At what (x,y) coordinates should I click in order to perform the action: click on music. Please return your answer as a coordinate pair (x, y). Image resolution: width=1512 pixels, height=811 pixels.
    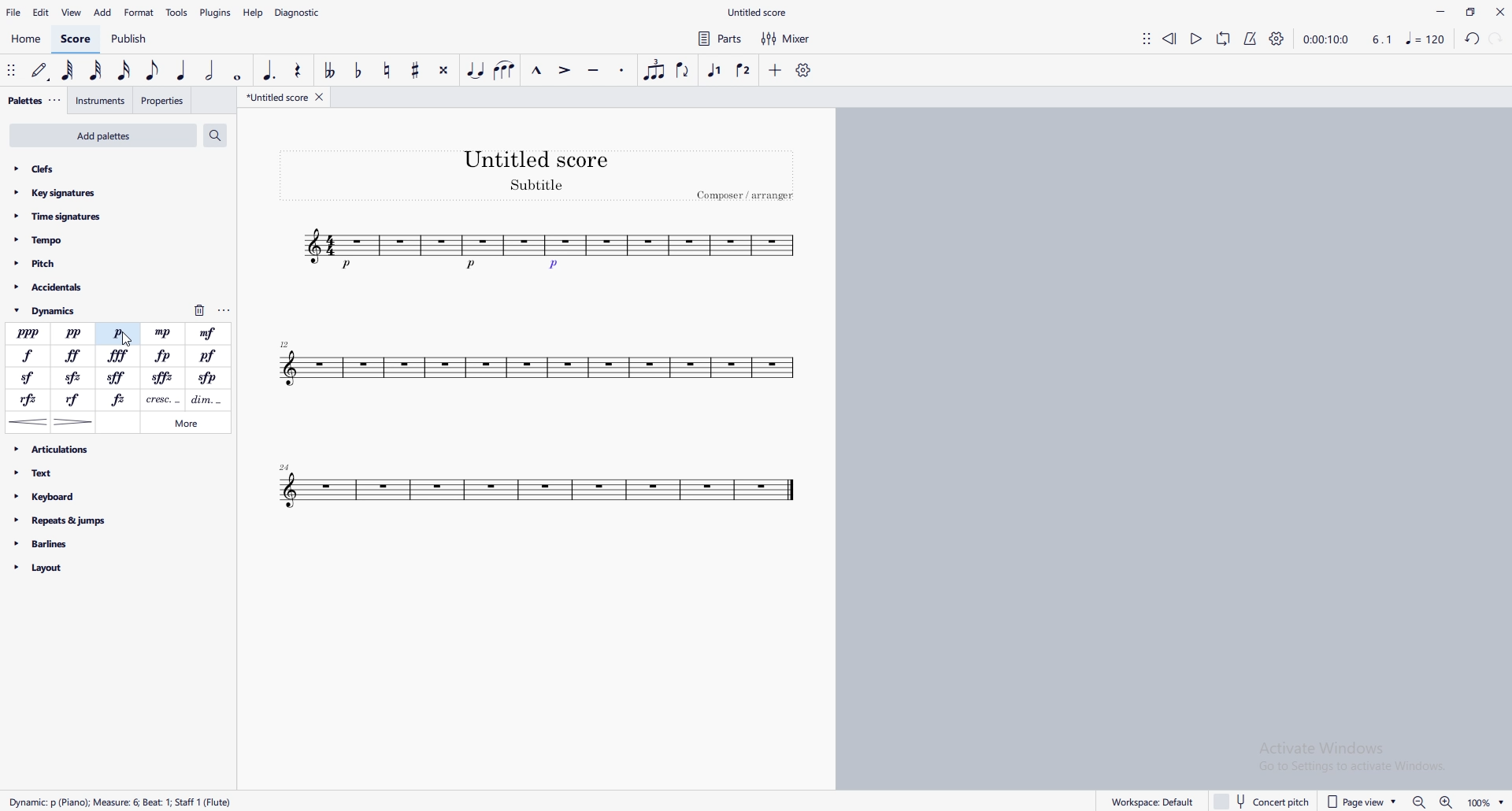
    Looking at the image, I should click on (1427, 38).